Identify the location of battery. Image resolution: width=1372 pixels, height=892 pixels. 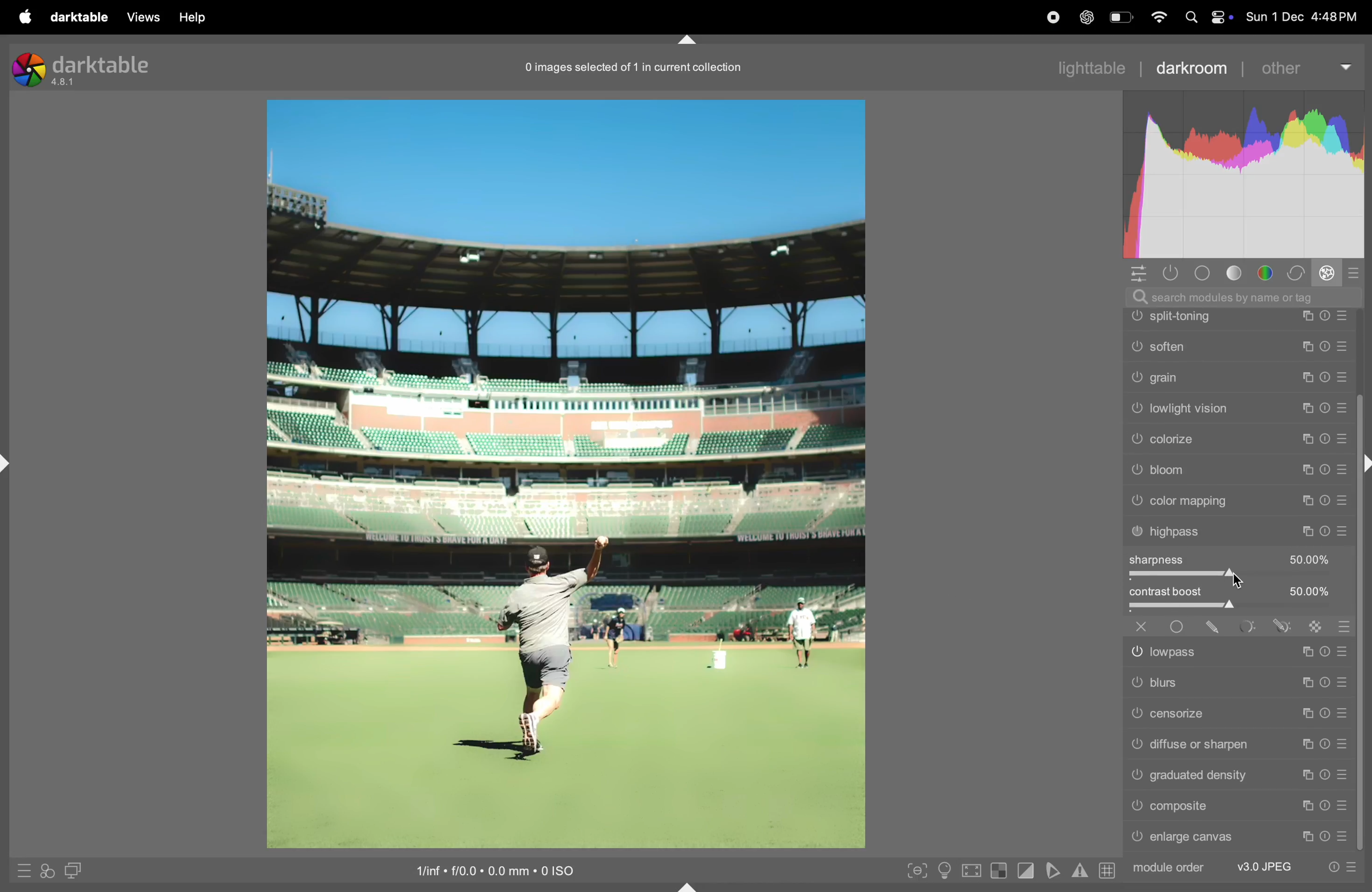
(1120, 17).